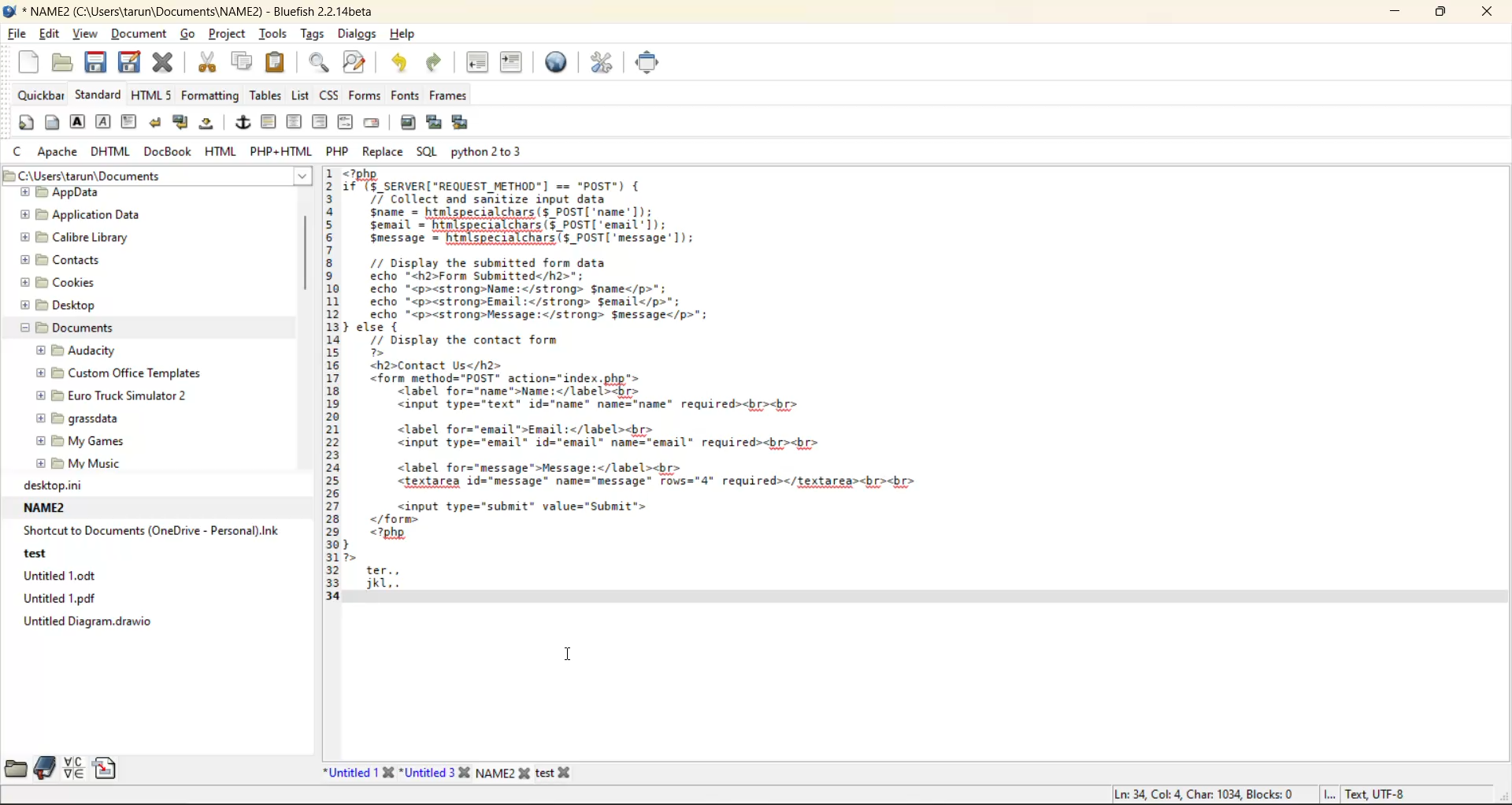 Image resolution: width=1512 pixels, height=805 pixels. I want to click on edit, so click(53, 35).